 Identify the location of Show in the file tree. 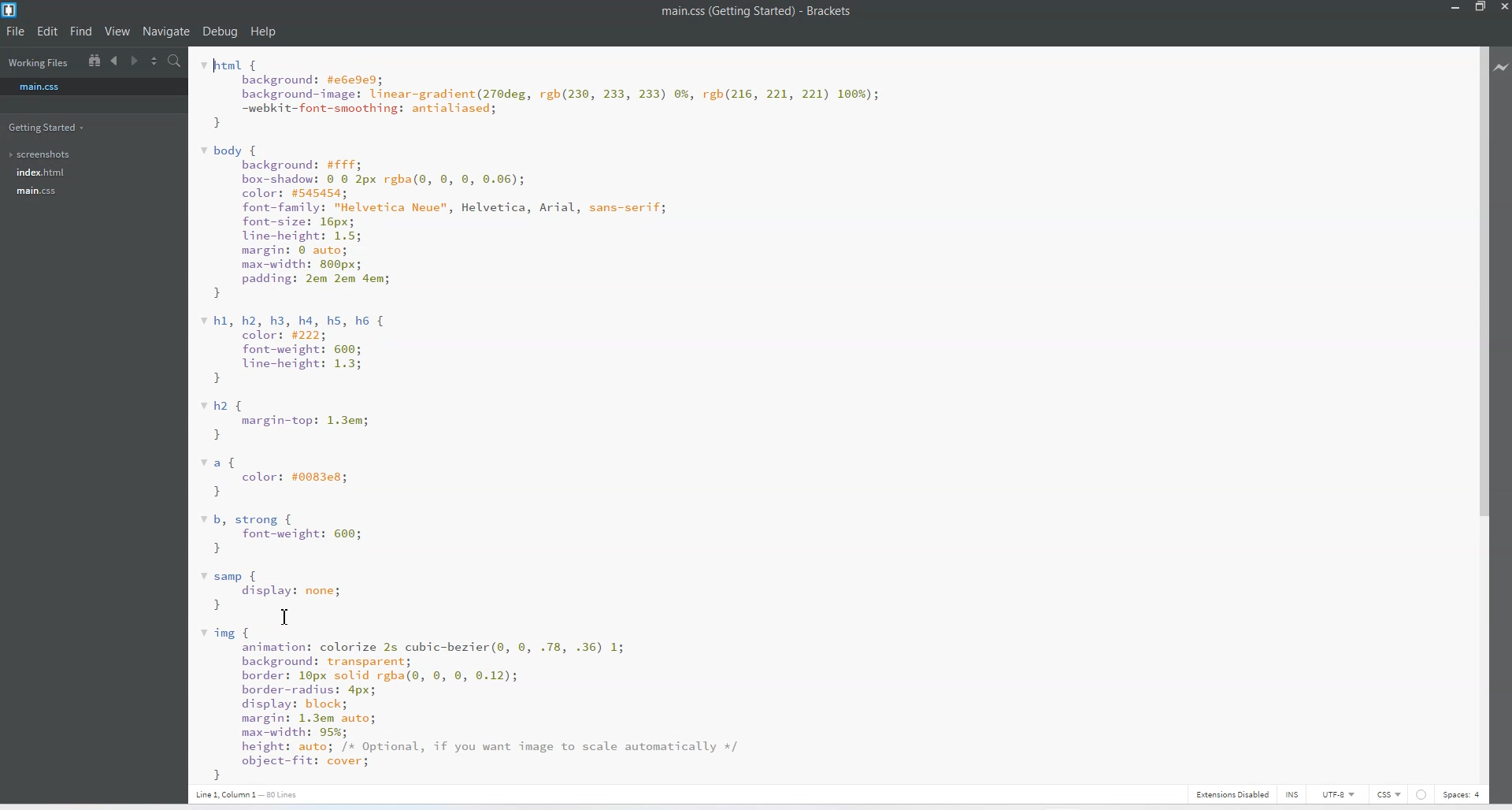
(94, 60).